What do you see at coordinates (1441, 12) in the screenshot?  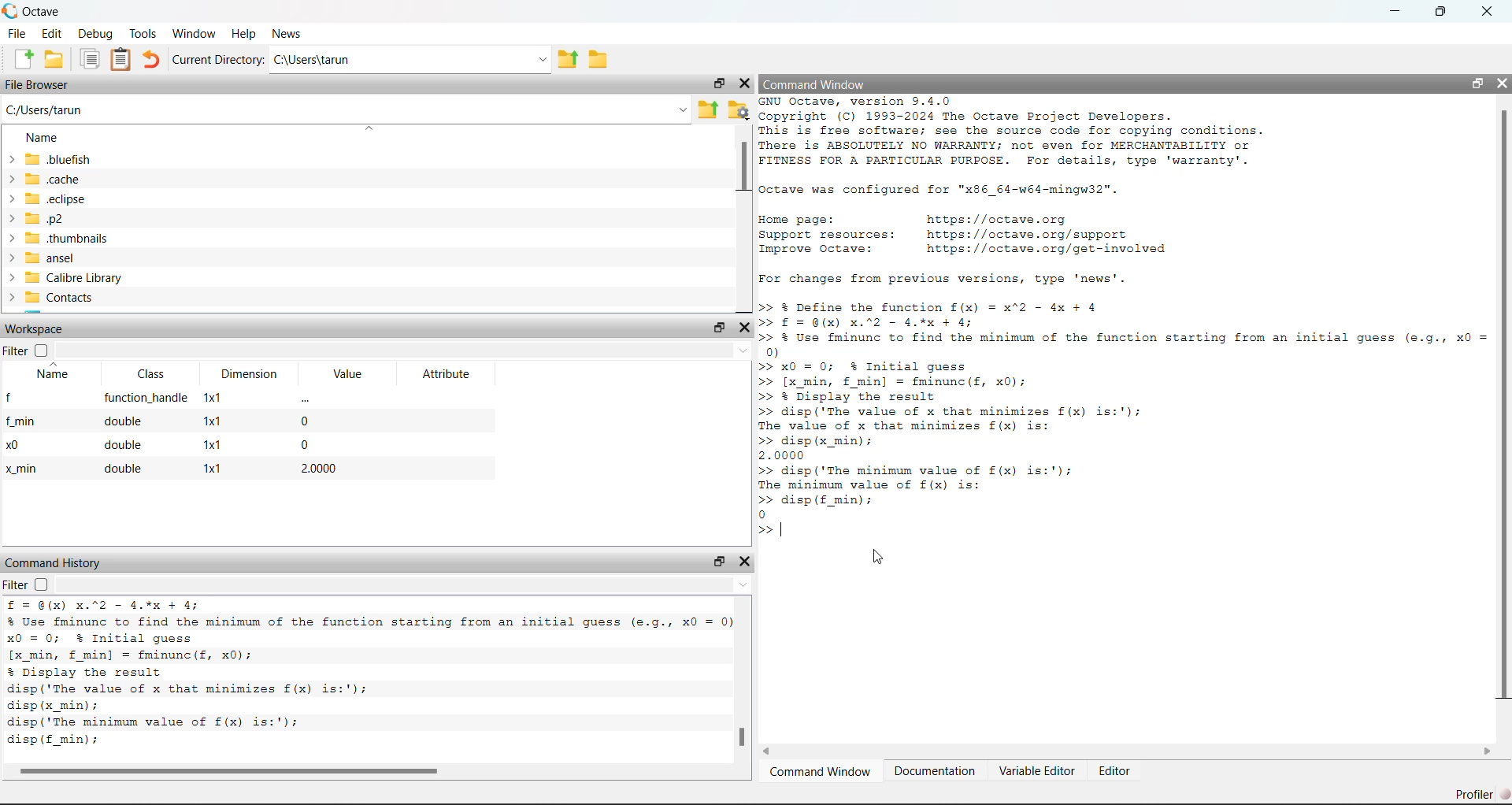 I see `Maximize/Restore` at bounding box center [1441, 12].